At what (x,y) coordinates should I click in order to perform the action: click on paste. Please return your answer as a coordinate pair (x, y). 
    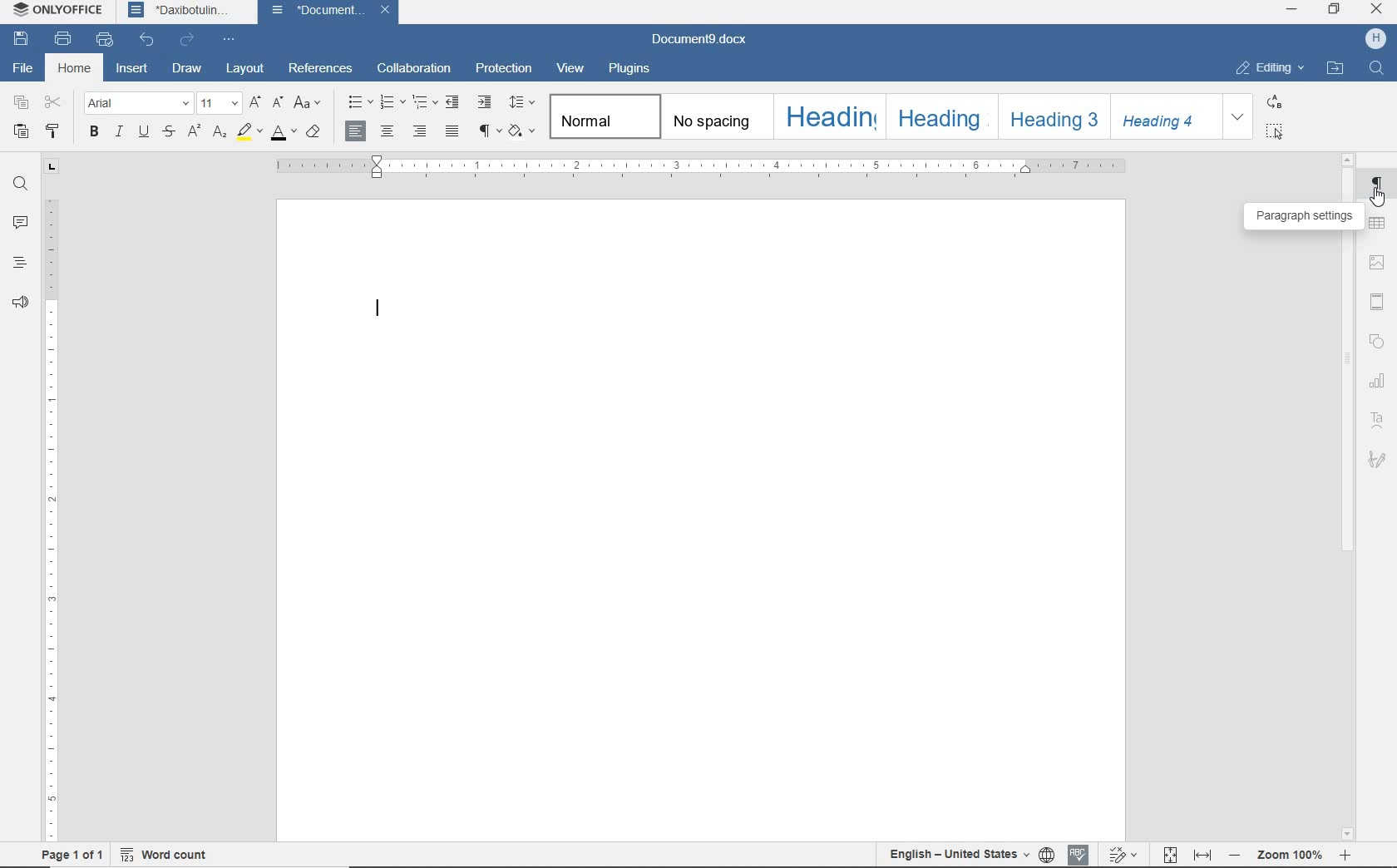
    Looking at the image, I should click on (22, 131).